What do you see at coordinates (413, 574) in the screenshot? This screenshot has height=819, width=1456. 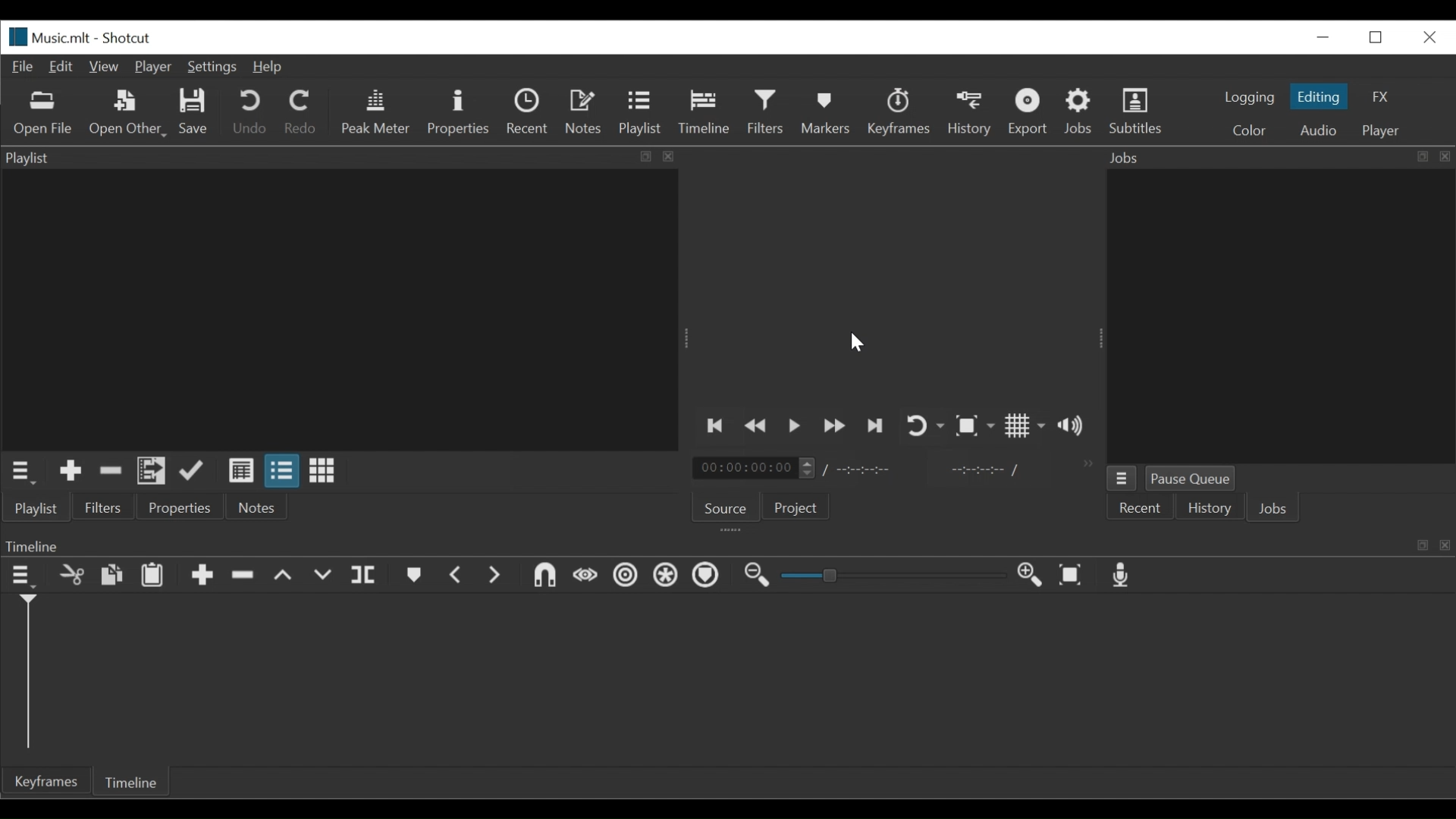 I see `Markers` at bounding box center [413, 574].